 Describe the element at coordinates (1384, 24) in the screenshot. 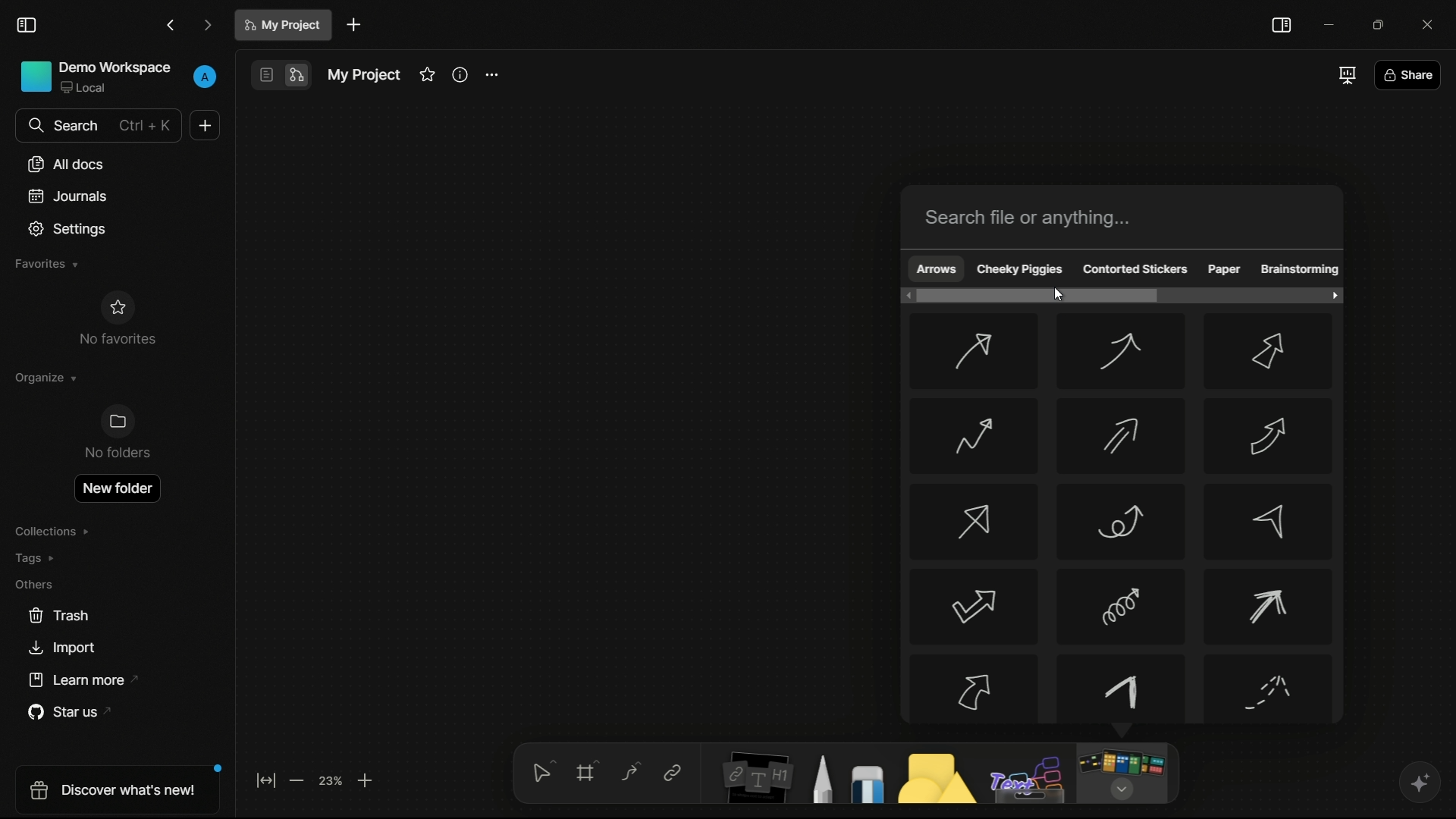

I see `maximize or restore` at that location.